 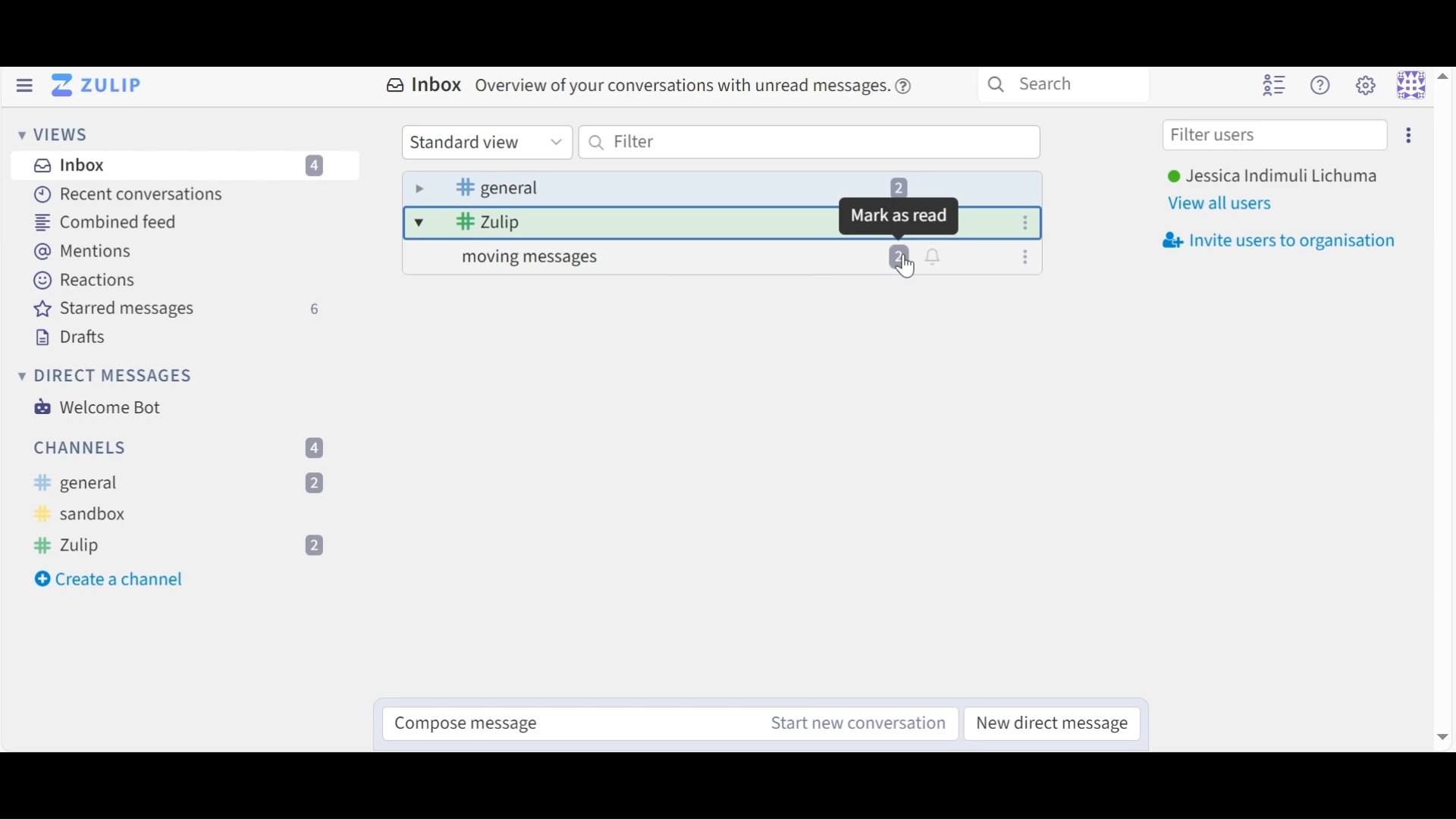 What do you see at coordinates (1444, 739) in the screenshot?
I see `Scroll down` at bounding box center [1444, 739].